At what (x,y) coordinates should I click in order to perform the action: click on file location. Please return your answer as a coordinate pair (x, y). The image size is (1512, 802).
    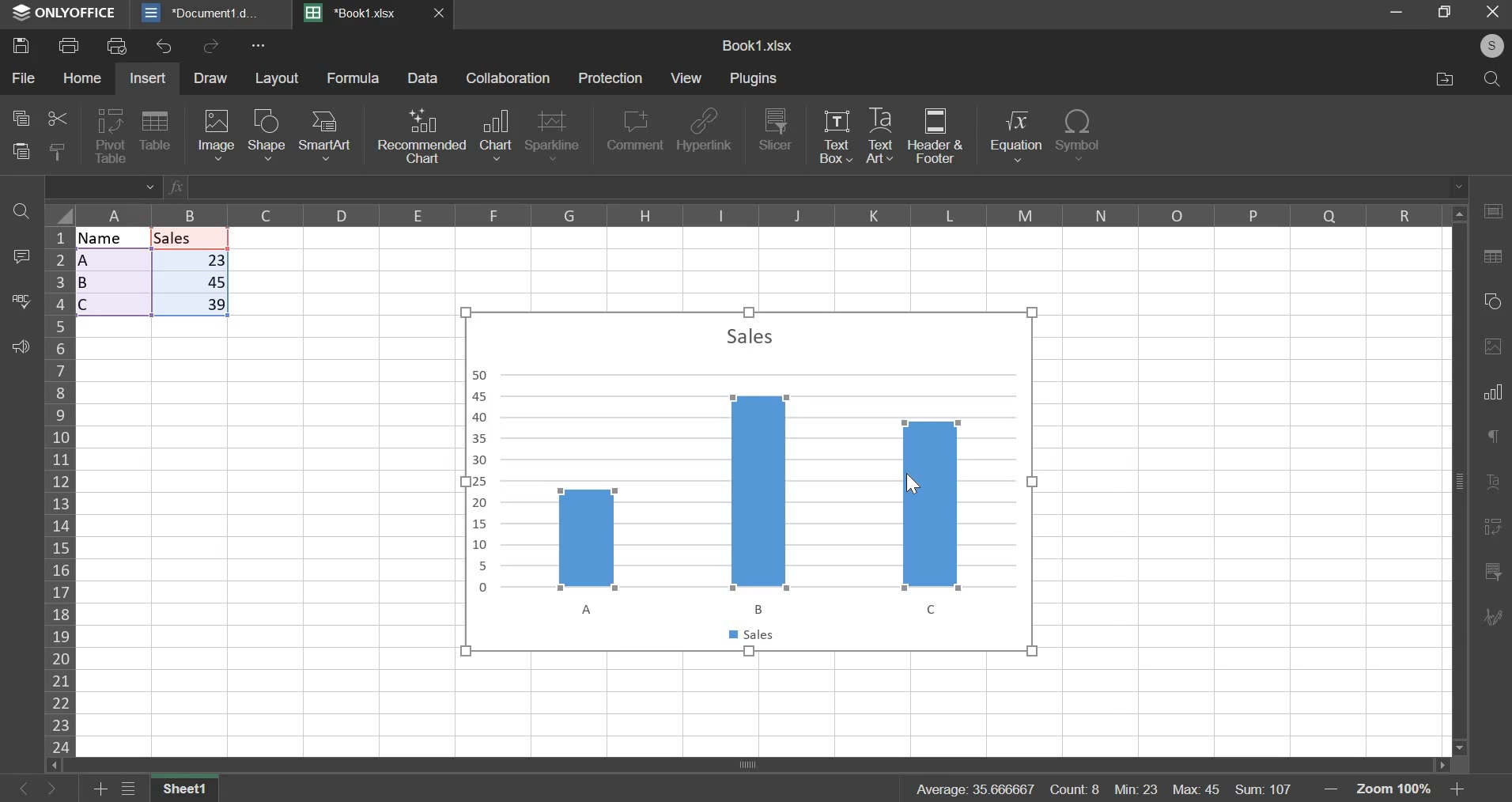
    Looking at the image, I should click on (1448, 81).